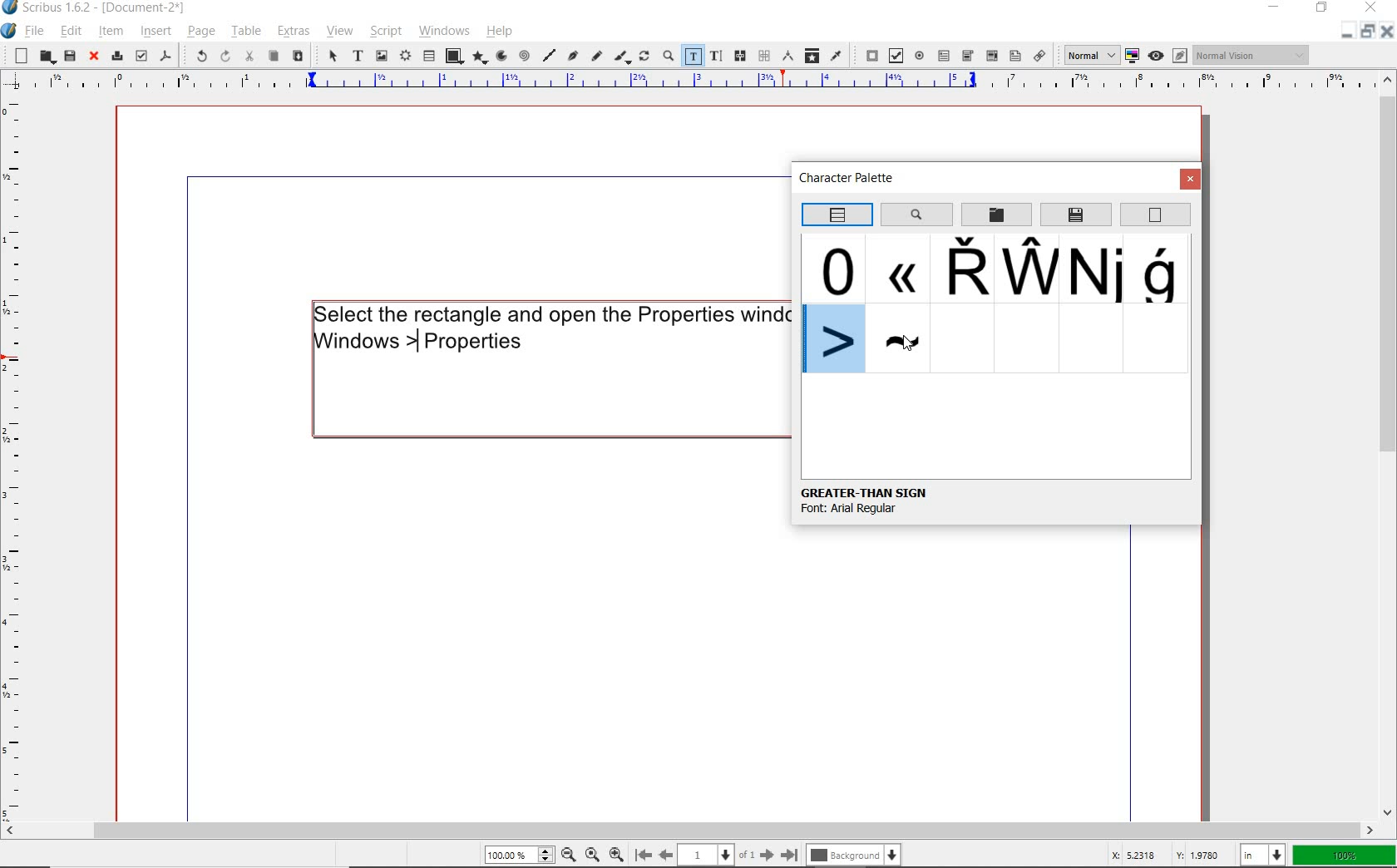 This screenshot has height=868, width=1397. I want to click on X 22675 Y: 18314, so click(1165, 852).